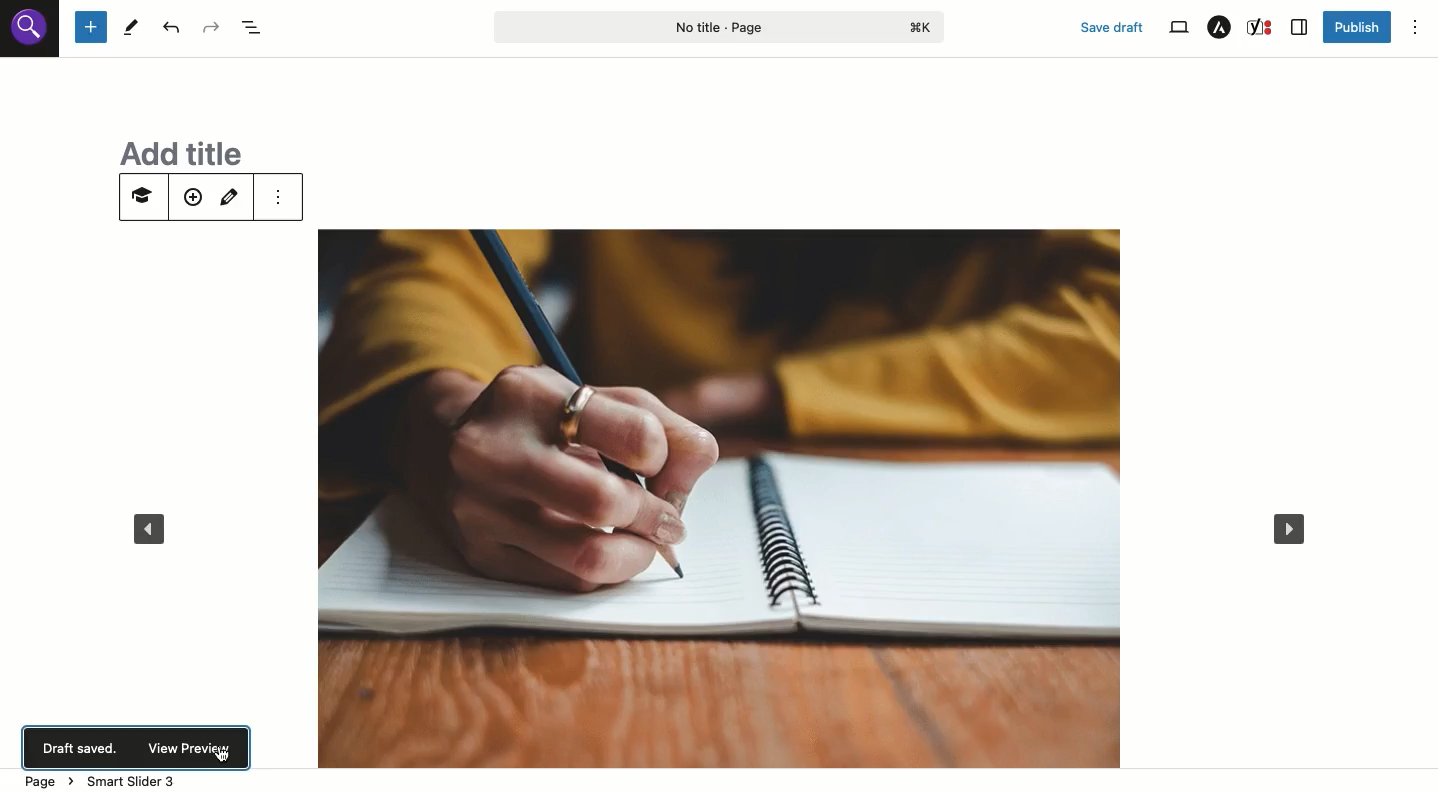 This screenshot has width=1438, height=792. I want to click on Yoast, so click(1262, 27).